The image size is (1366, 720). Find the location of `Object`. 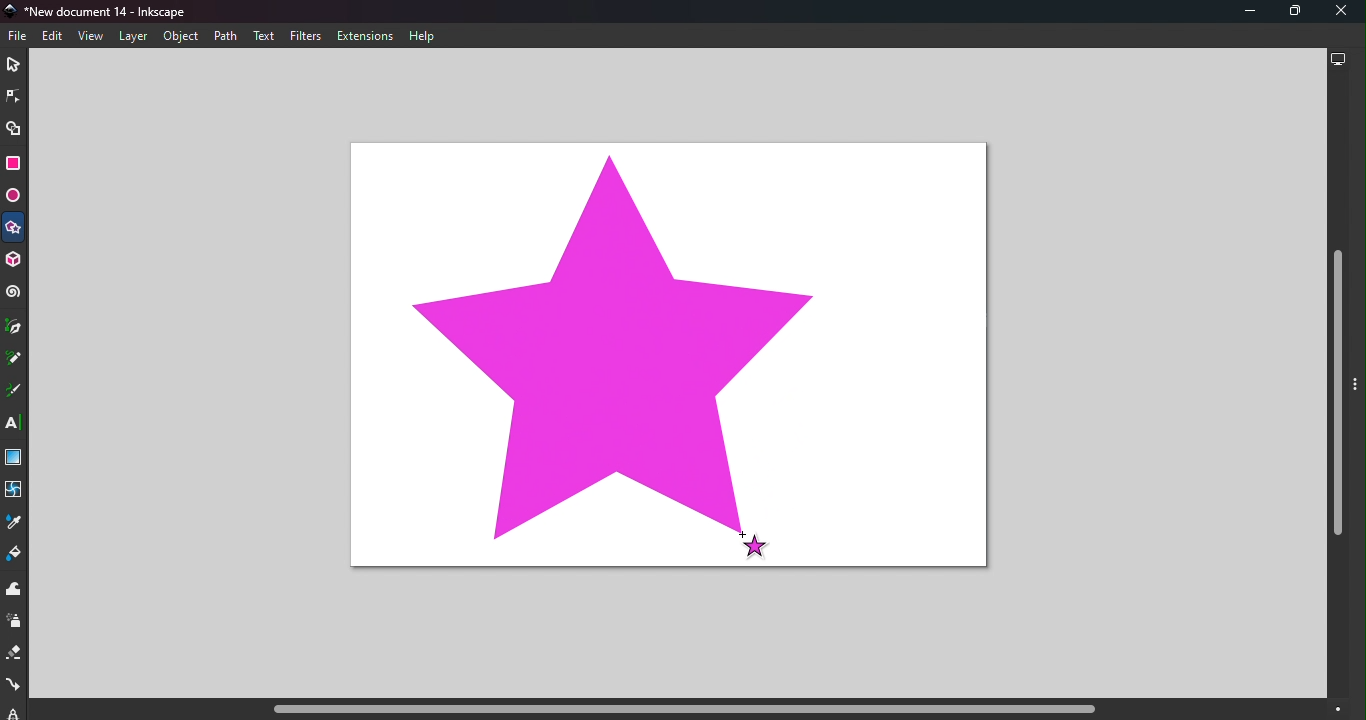

Object is located at coordinates (180, 37).